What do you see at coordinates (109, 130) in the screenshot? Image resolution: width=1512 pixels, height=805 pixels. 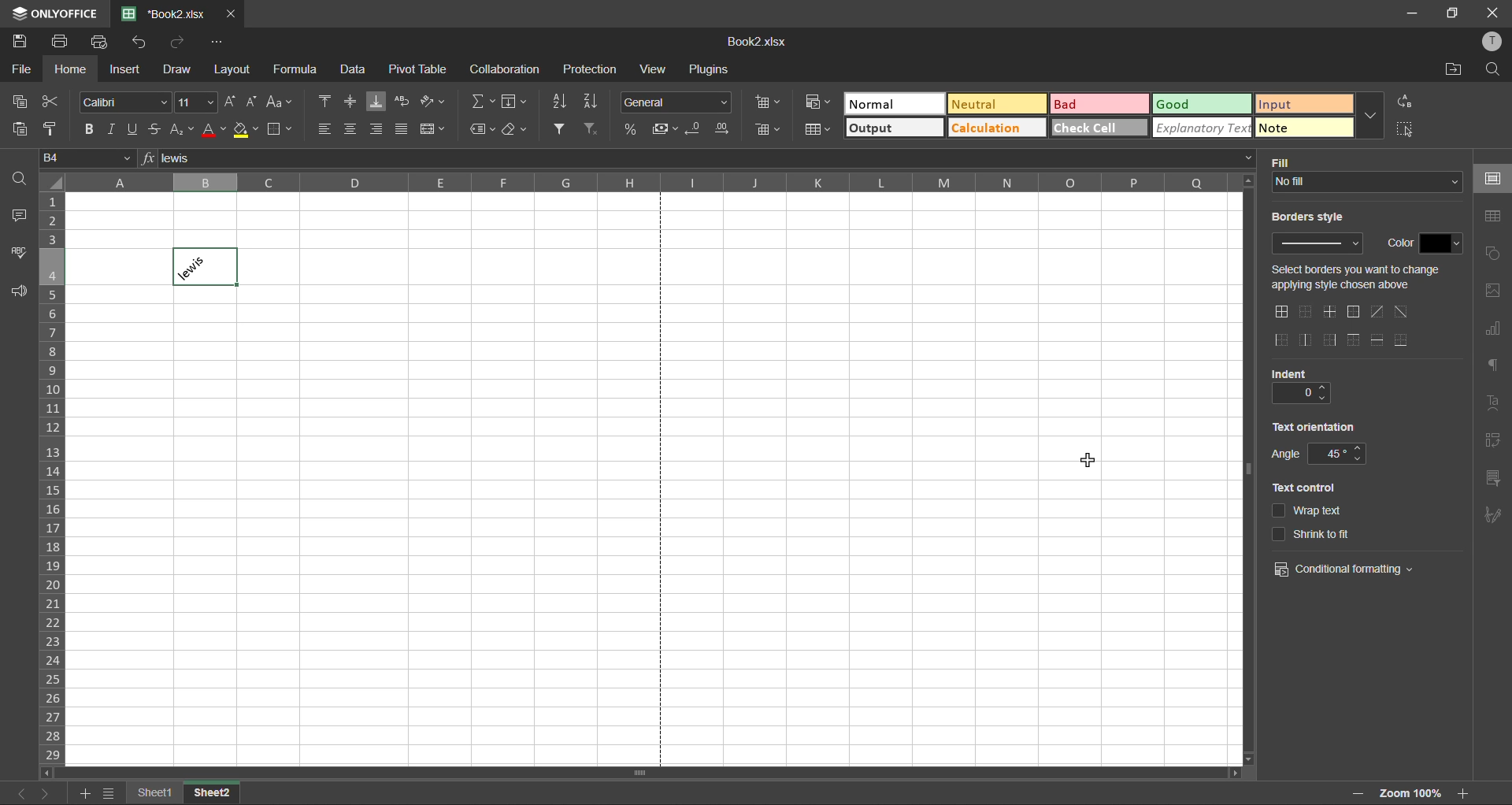 I see `italic` at bounding box center [109, 130].